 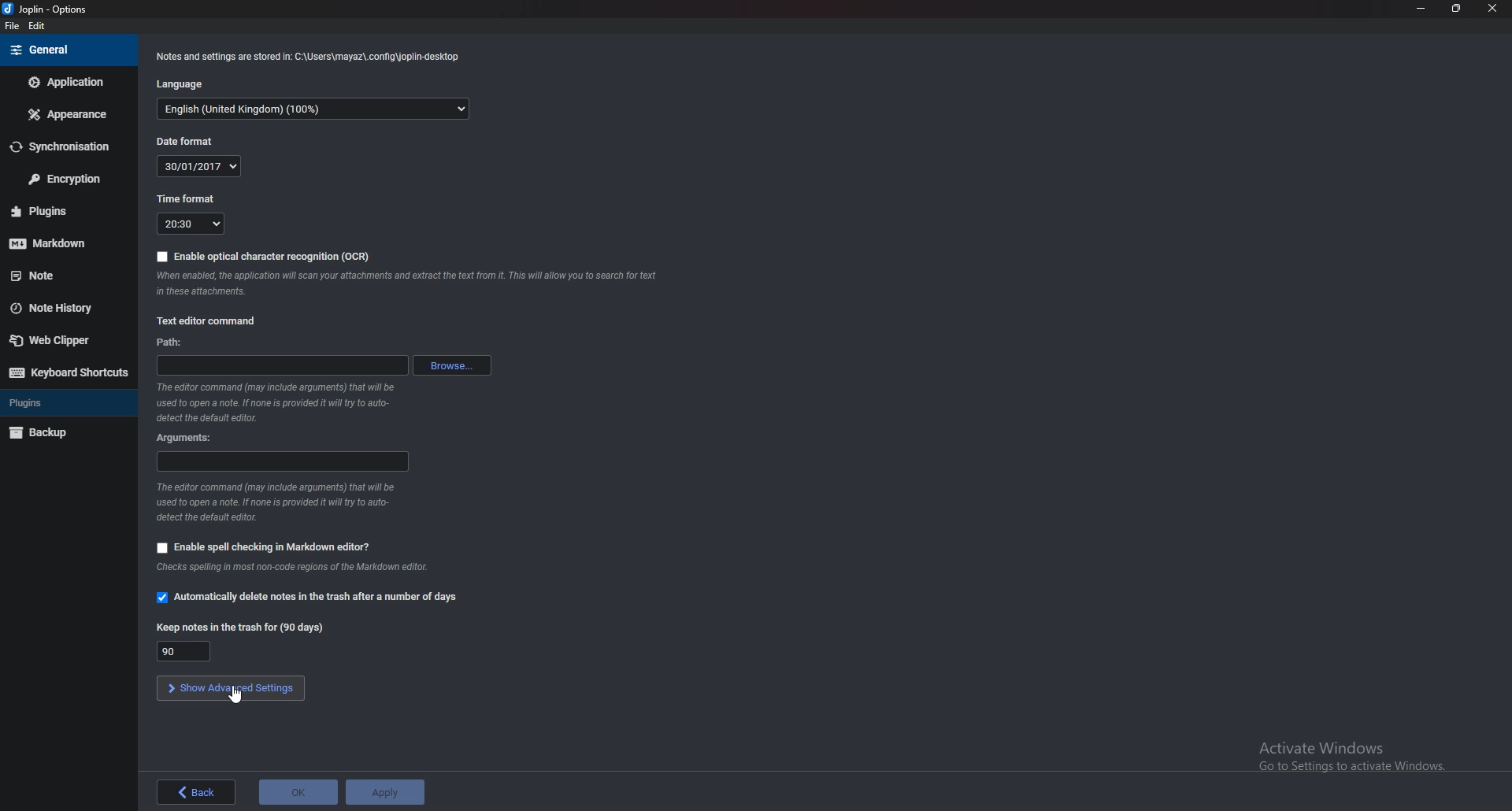 I want to click on Automatically delete notes, so click(x=306, y=600).